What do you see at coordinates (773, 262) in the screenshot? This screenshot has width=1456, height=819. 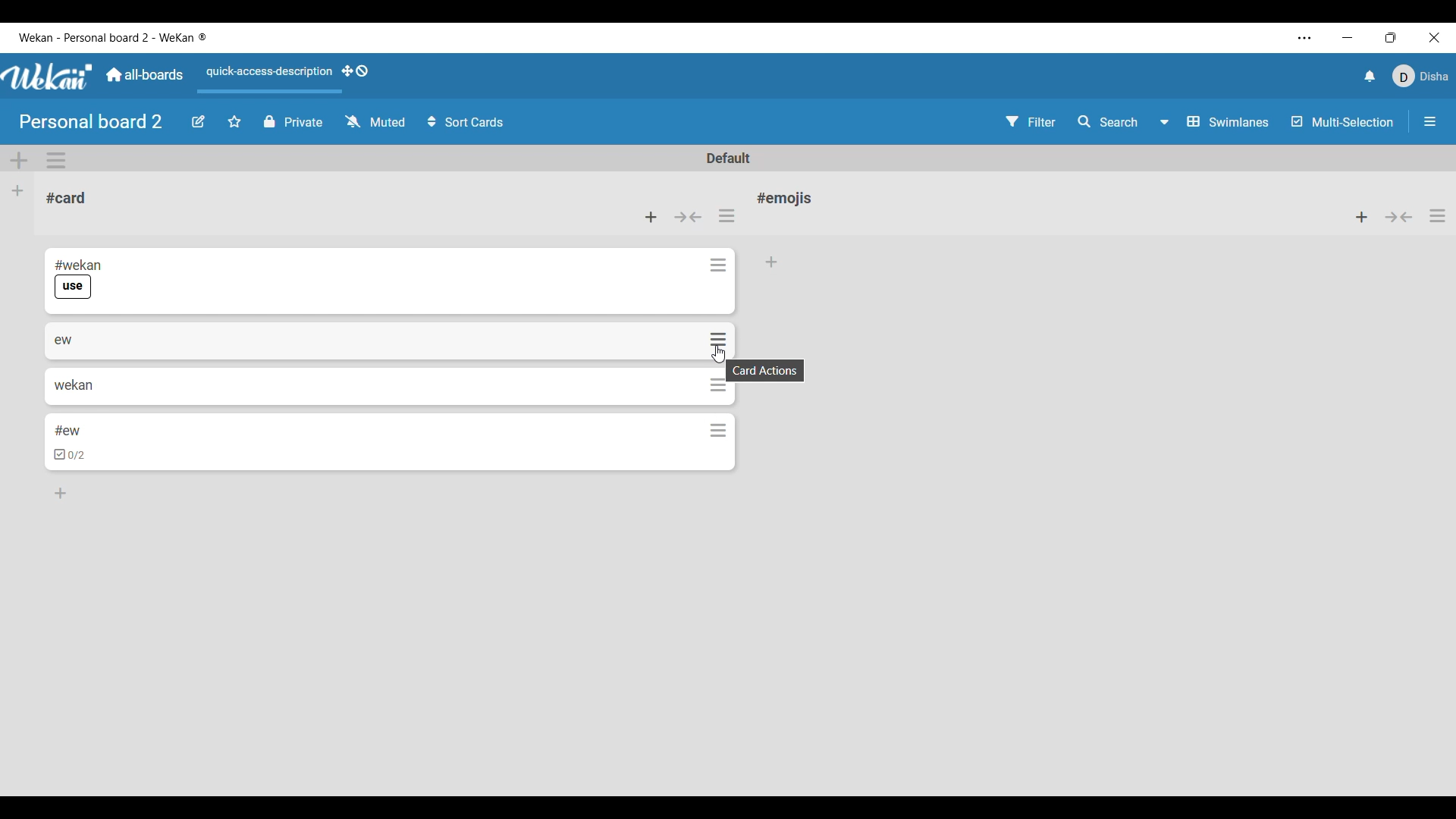 I see `Add card to bottom of list` at bounding box center [773, 262].